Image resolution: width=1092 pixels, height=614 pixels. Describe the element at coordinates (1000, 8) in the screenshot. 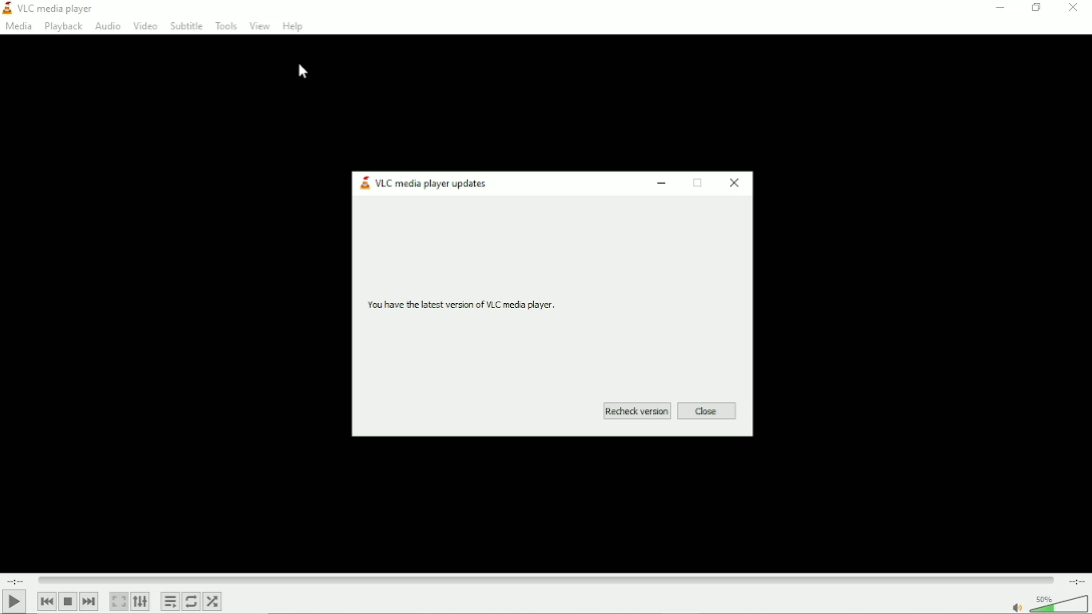

I see `Minimize` at that location.